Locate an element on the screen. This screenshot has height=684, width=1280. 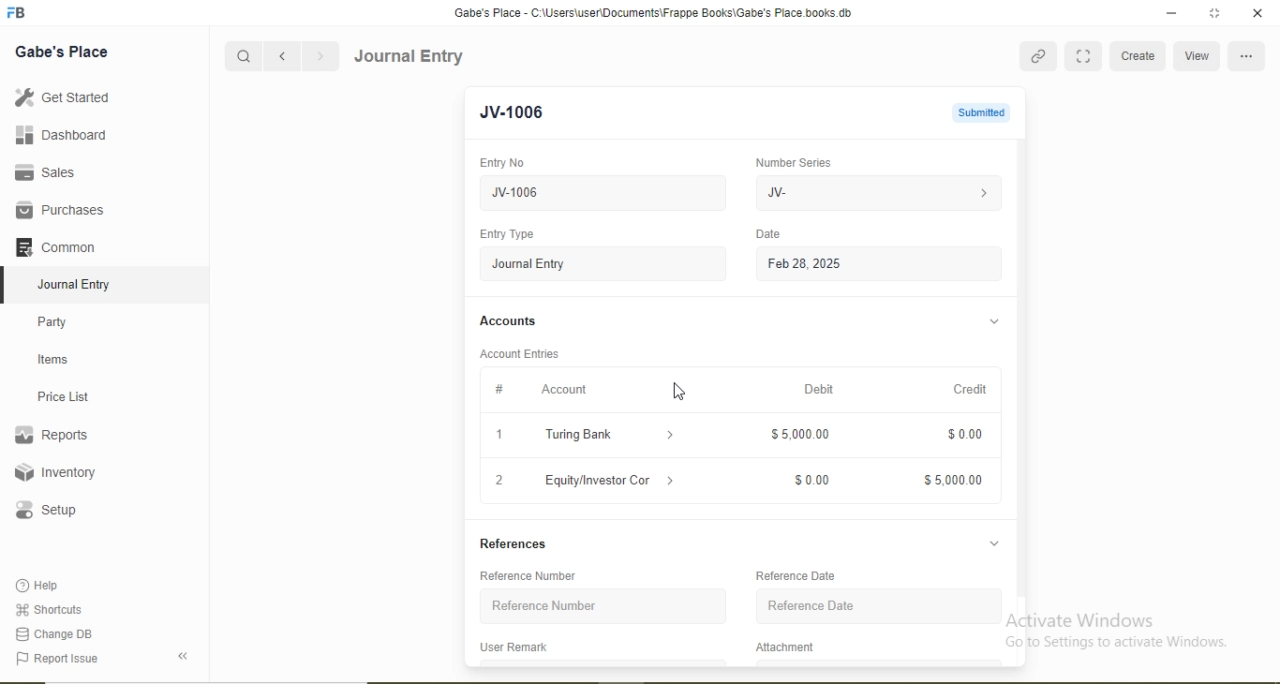
Entry No is located at coordinates (501, 162).